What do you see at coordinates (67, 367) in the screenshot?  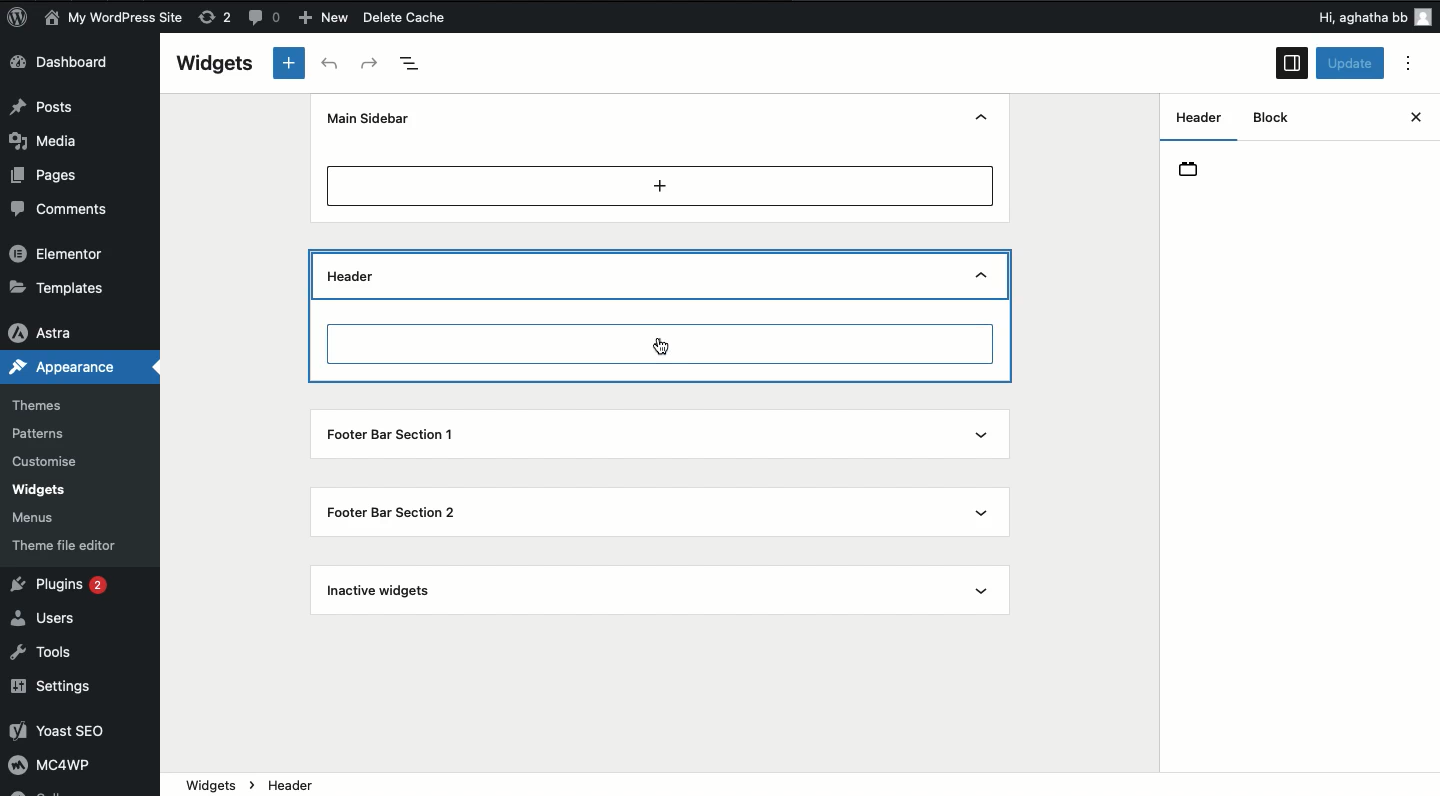 I see `Appearance` at bounding box center [67, 367].